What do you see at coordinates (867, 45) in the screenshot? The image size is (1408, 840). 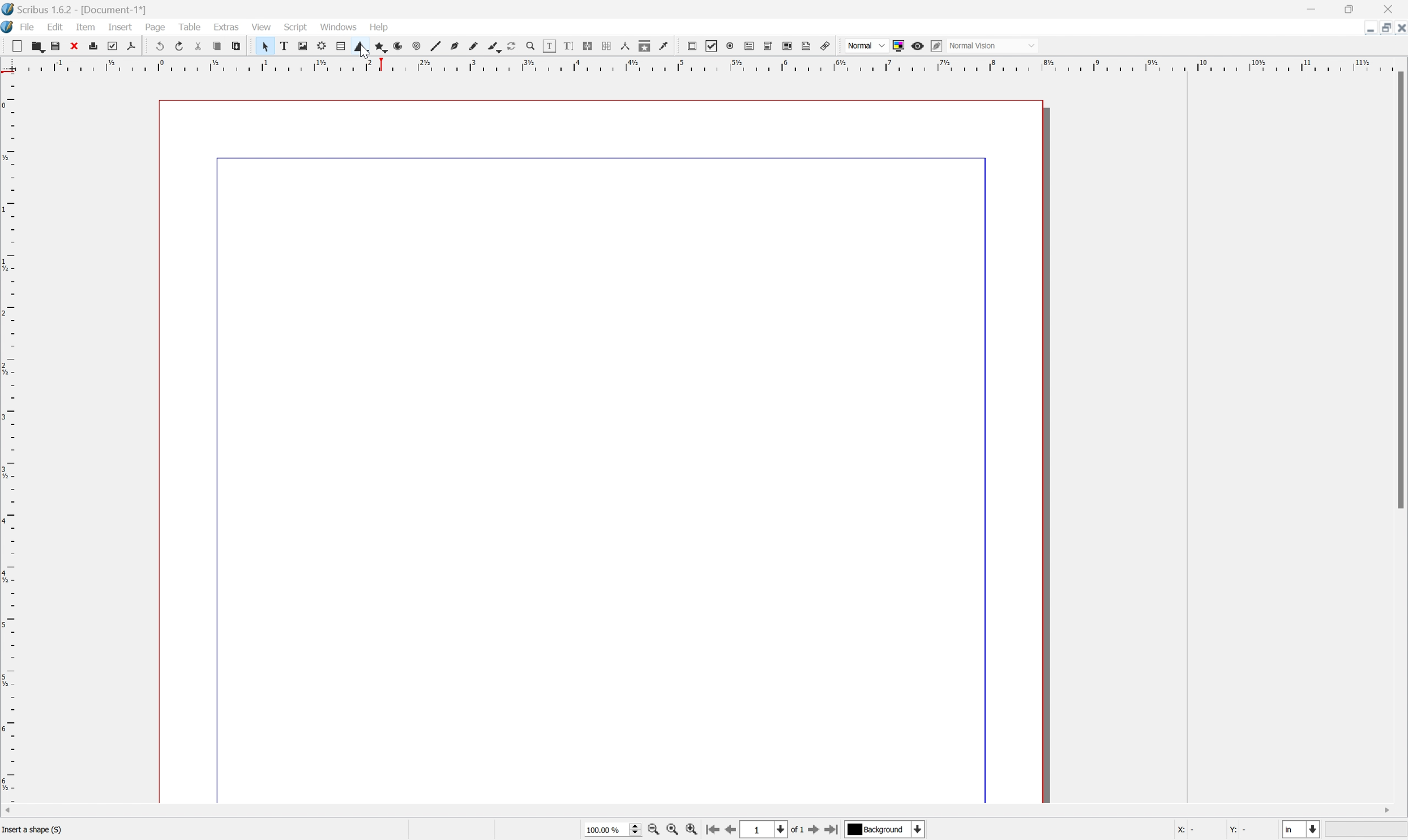 I see `Normal` at bounding box center [867, 45].